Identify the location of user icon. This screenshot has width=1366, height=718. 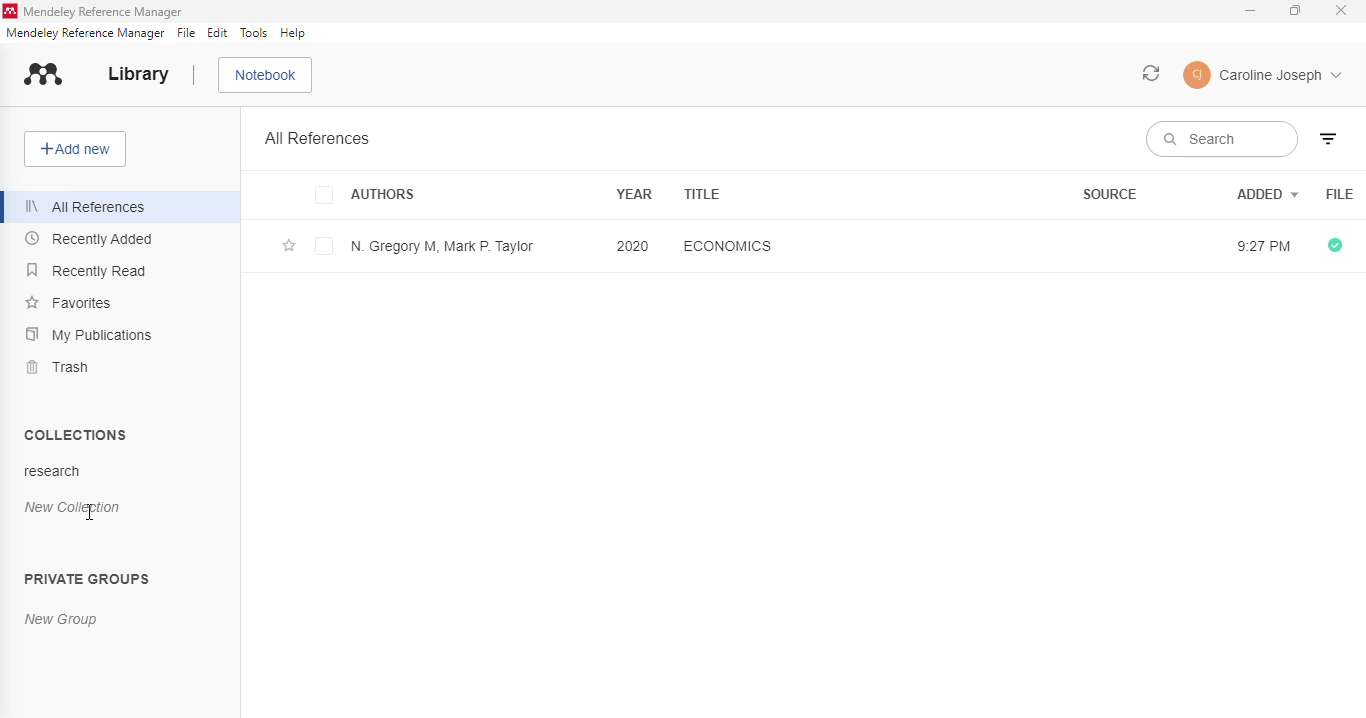
(1198, 75).